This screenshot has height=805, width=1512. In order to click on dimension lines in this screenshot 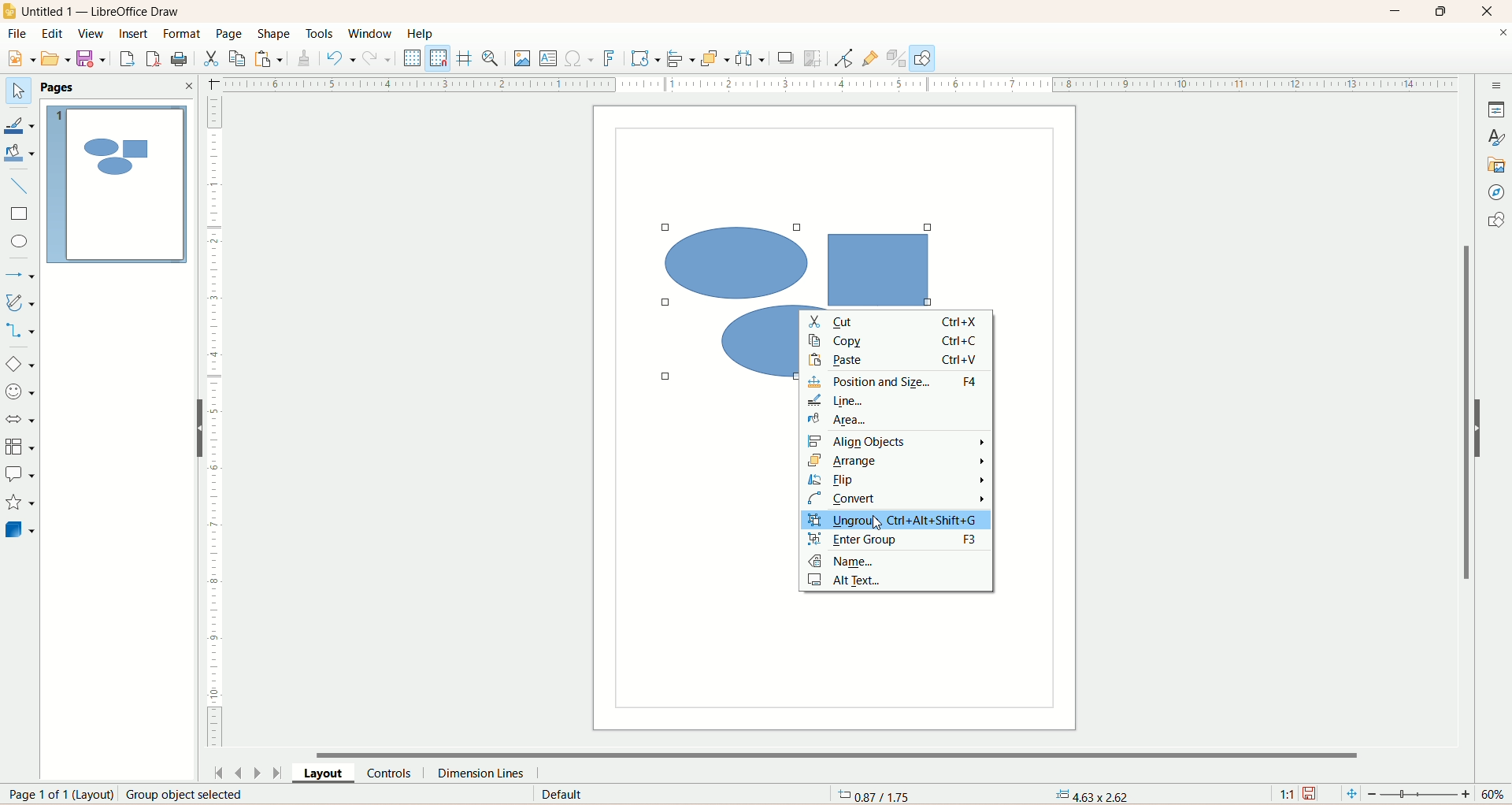, I will do `click(483, 773)`.